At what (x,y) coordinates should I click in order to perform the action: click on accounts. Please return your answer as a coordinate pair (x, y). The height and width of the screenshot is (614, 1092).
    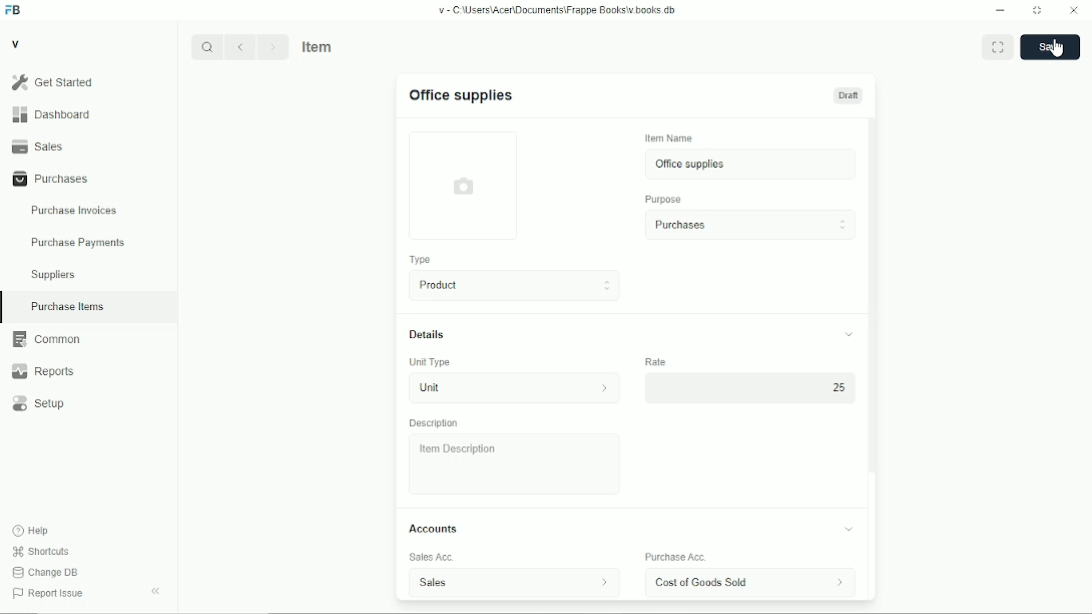
    Looking at the image, I should click on (433, 528).